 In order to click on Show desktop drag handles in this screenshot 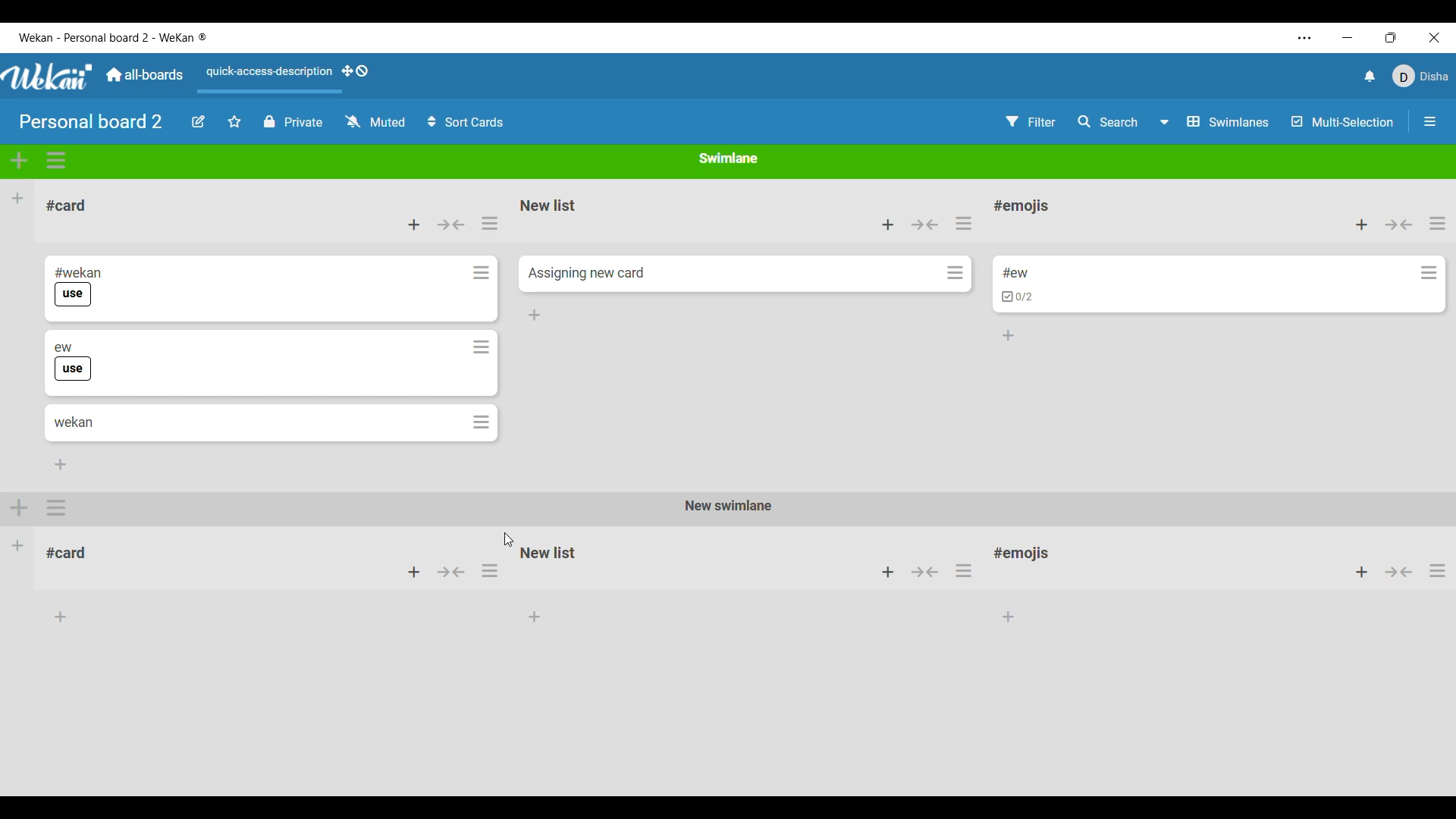, I will do `click(355, 71)`.